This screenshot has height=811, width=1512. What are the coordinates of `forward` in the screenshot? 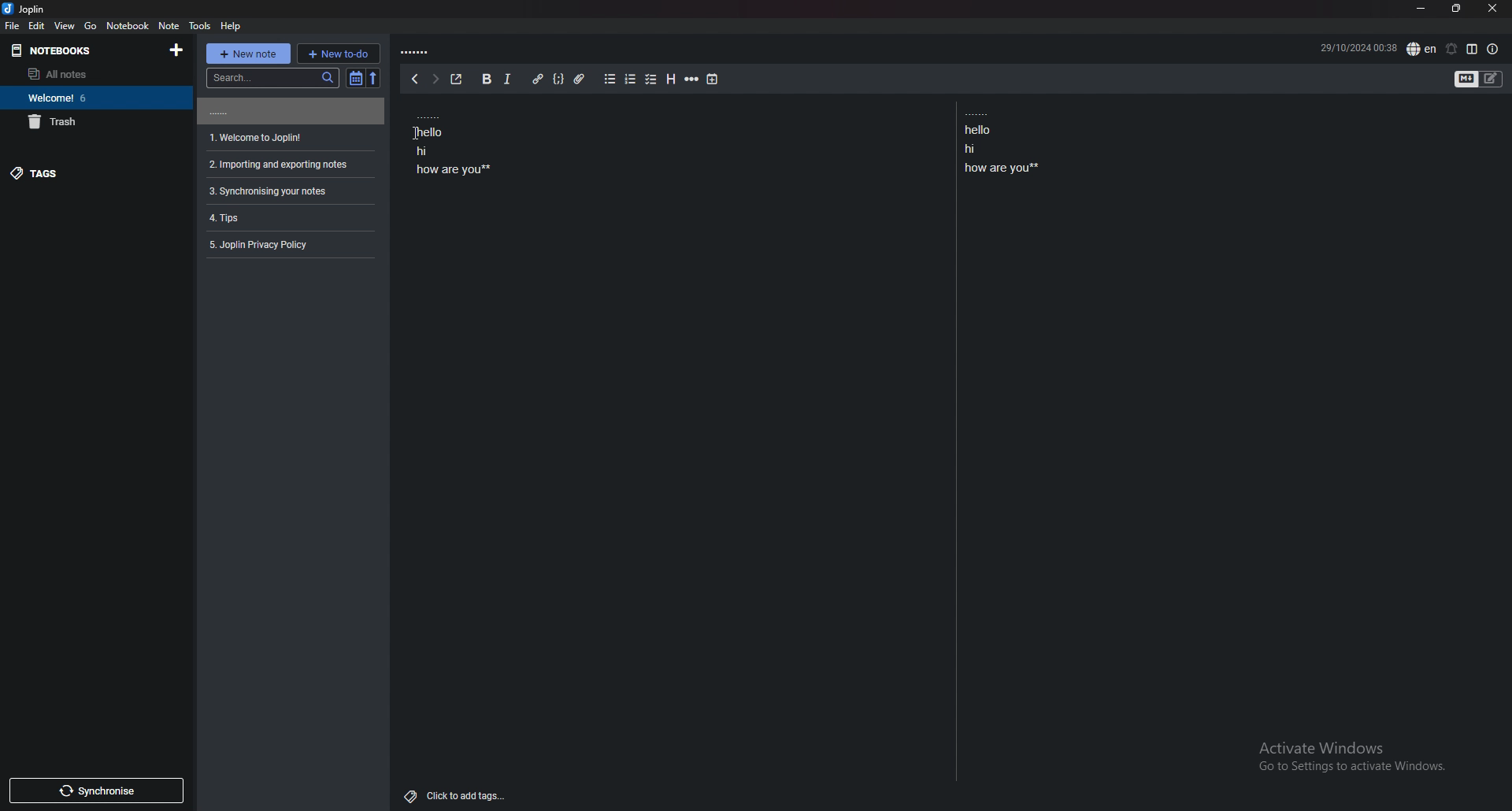 It's located at (434, 79).